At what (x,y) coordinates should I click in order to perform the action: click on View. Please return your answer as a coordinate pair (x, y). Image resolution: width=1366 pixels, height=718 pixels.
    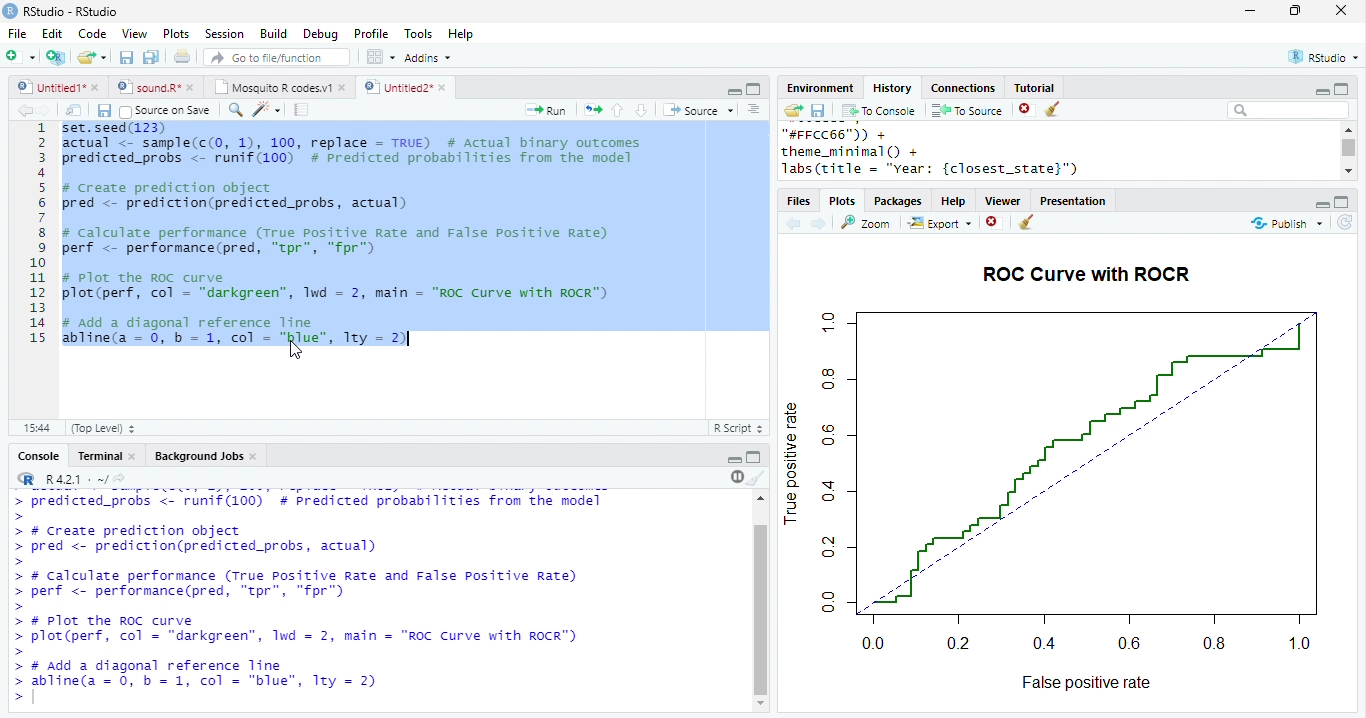
    Looking at the image, I should click on (134, 34).